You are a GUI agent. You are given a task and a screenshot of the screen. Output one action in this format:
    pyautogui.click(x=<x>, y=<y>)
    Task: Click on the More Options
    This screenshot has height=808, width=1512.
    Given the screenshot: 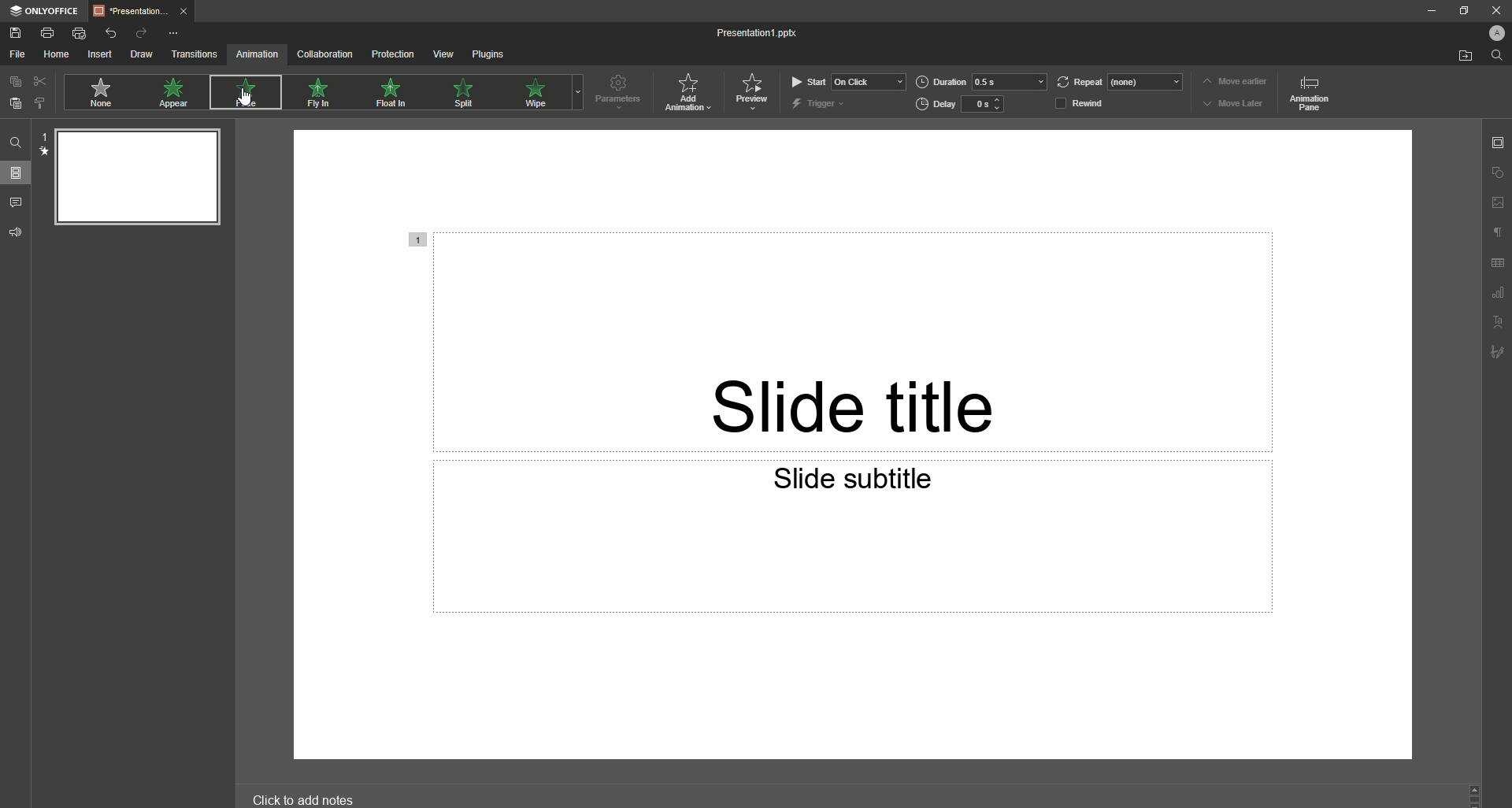 What is the action you would take?
    pyautogui.click(x=172, y=33)
    